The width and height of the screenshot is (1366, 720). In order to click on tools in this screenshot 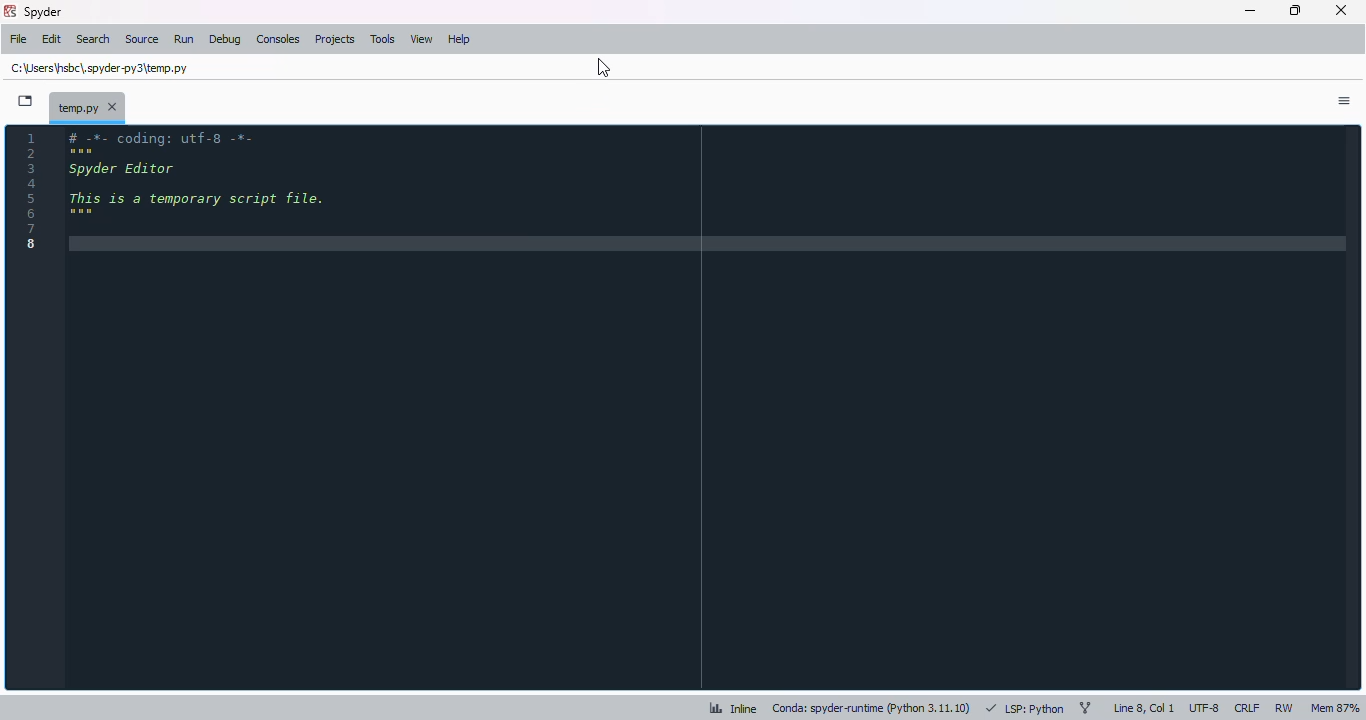, I will do `click(381, 39)`.